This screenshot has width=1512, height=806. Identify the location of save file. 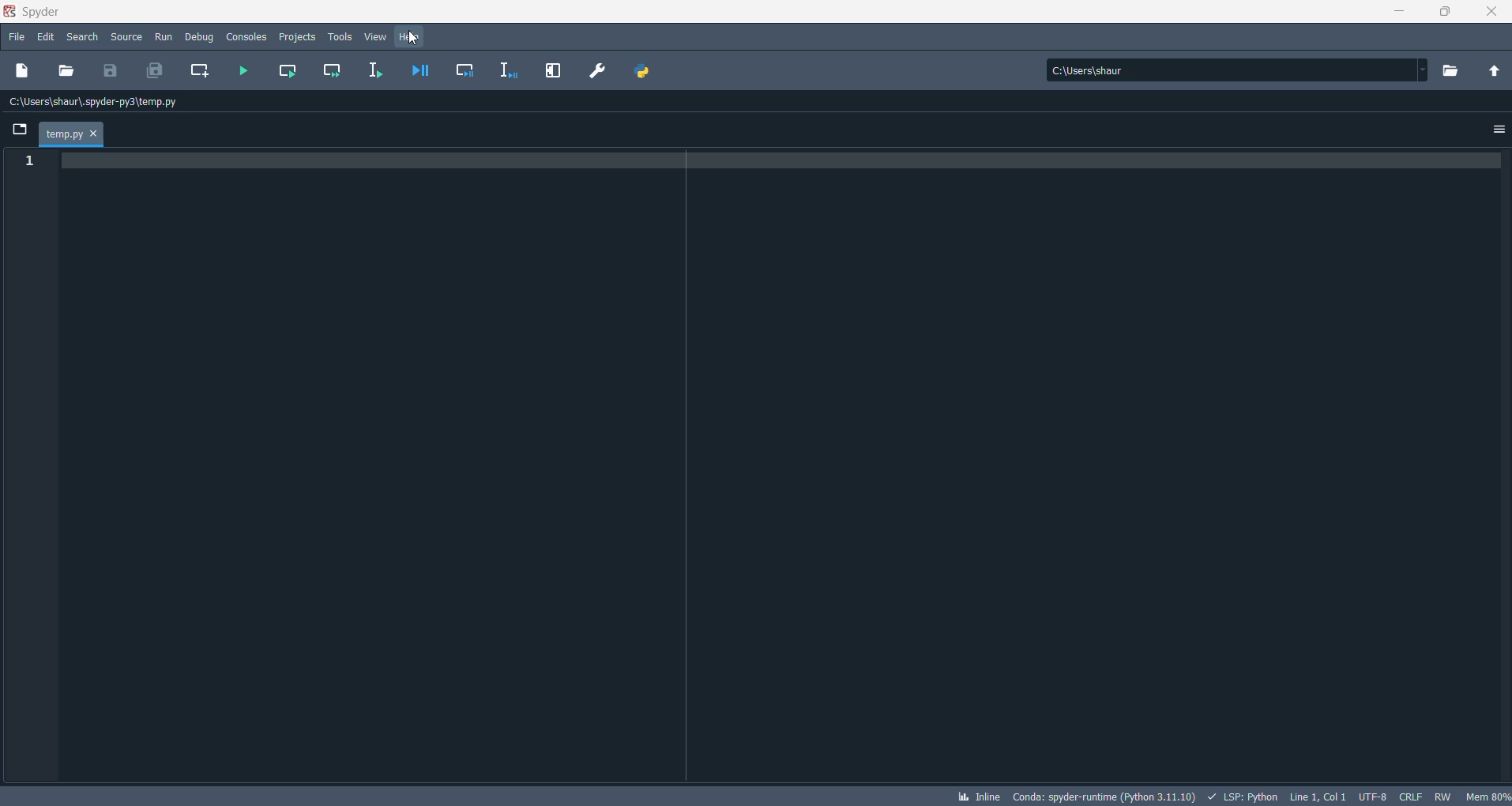
(109, 70).